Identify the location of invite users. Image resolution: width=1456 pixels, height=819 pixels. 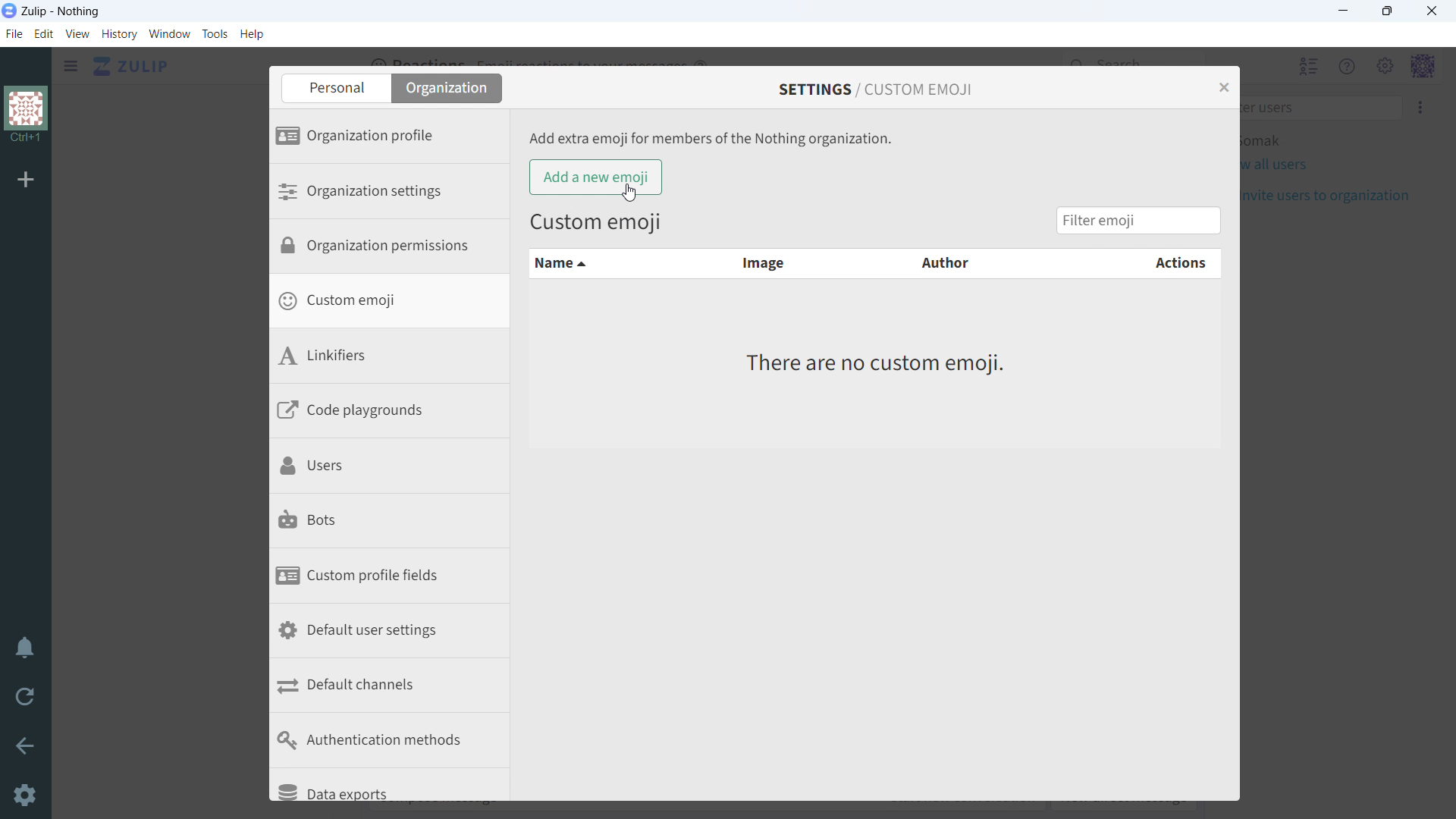
(1419, 108).